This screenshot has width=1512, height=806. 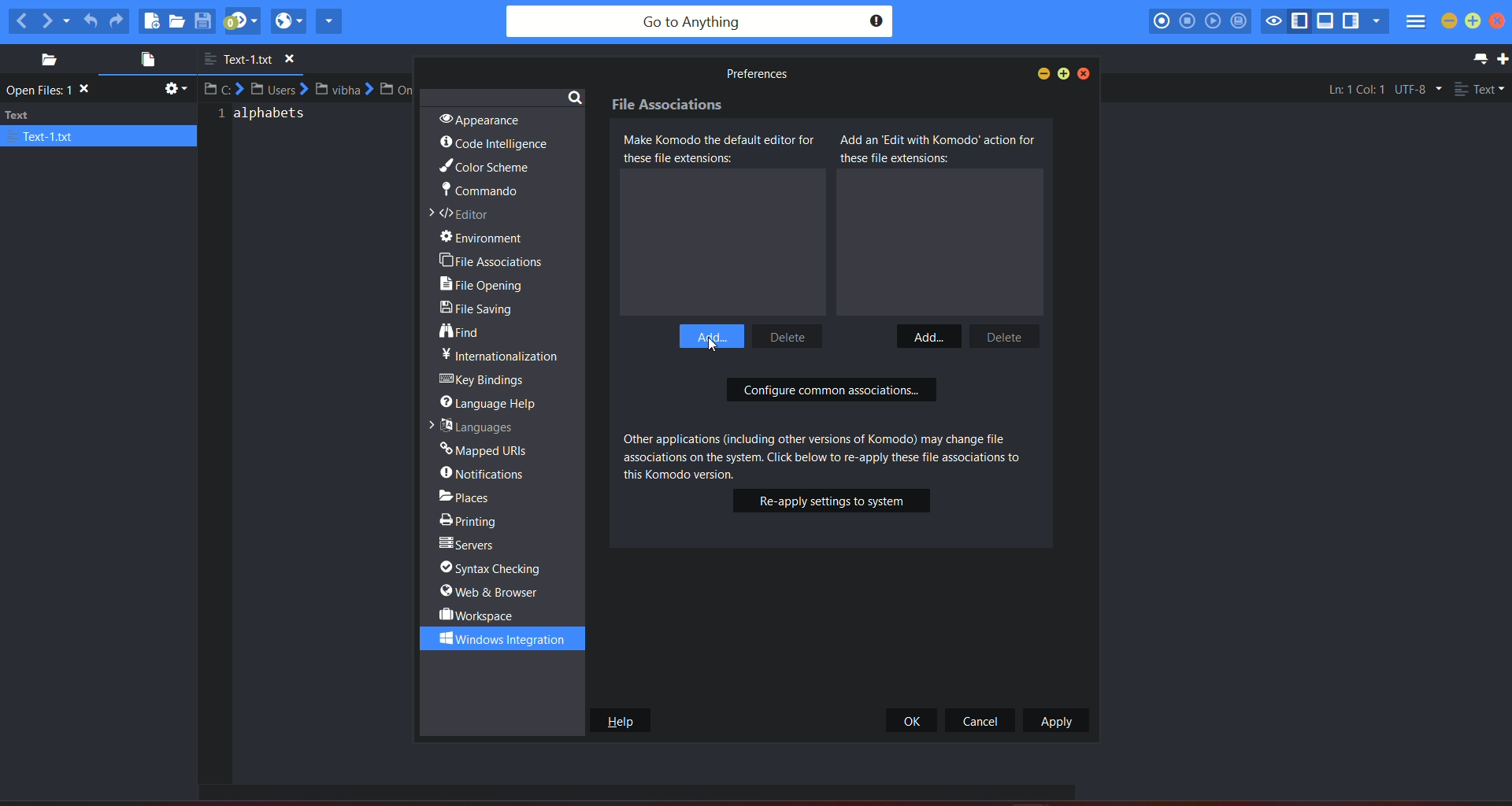 I want to click on language help, so click(x=493, y=401).